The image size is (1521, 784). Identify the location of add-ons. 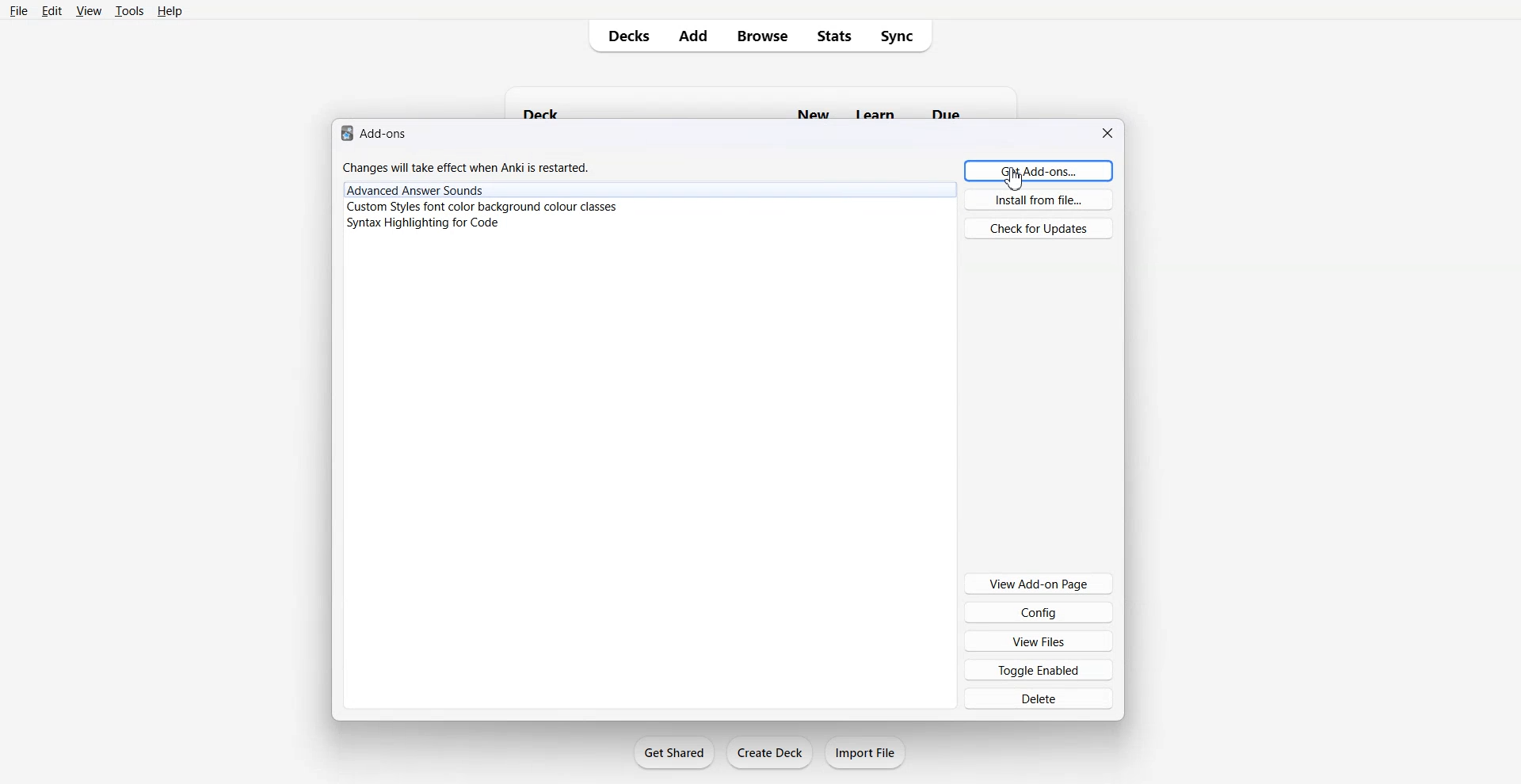
(388, 135).